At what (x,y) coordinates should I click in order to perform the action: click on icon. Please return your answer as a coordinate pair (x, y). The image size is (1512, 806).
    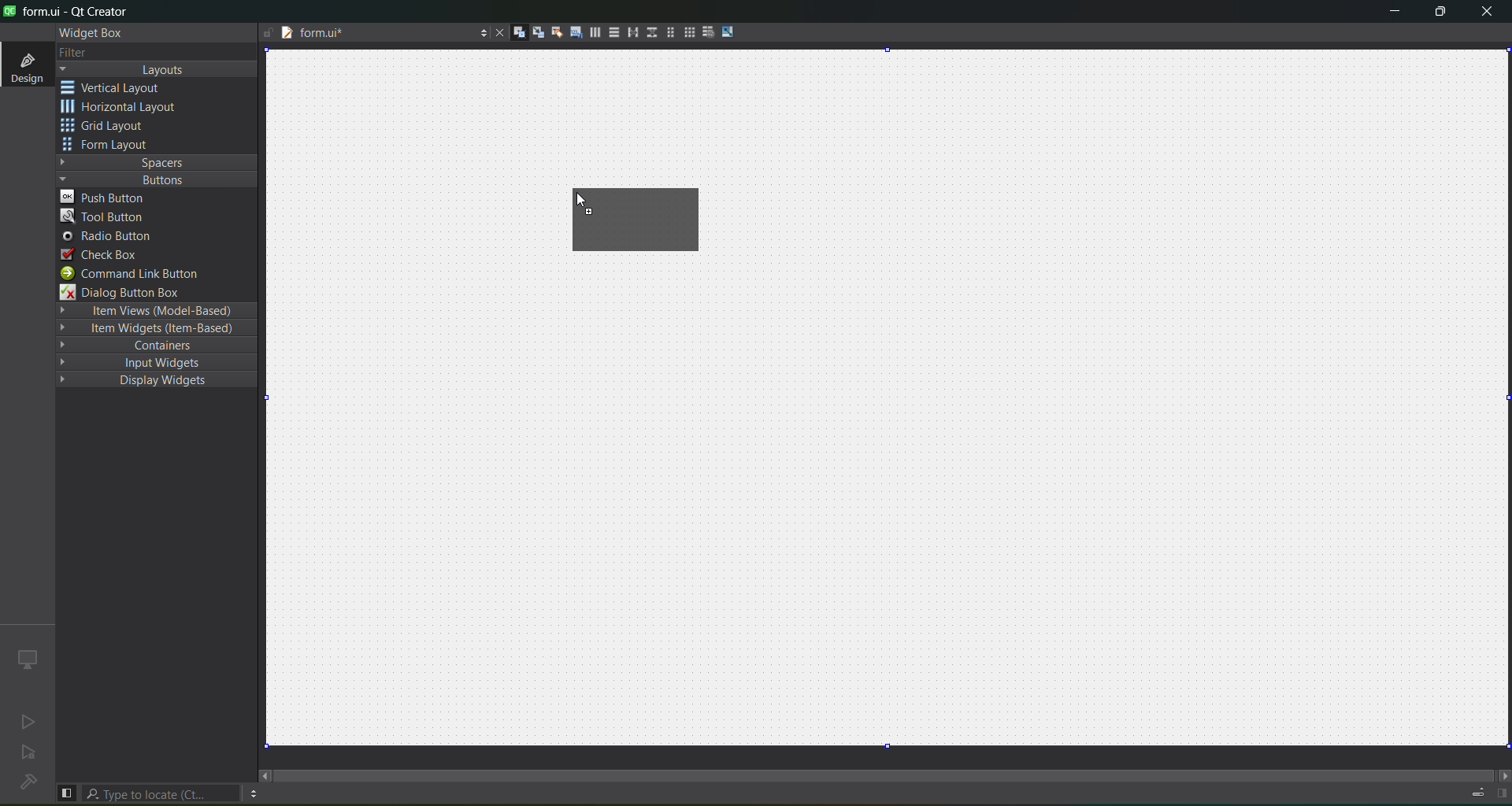
    Looking at the image, I should click on (26, 658).